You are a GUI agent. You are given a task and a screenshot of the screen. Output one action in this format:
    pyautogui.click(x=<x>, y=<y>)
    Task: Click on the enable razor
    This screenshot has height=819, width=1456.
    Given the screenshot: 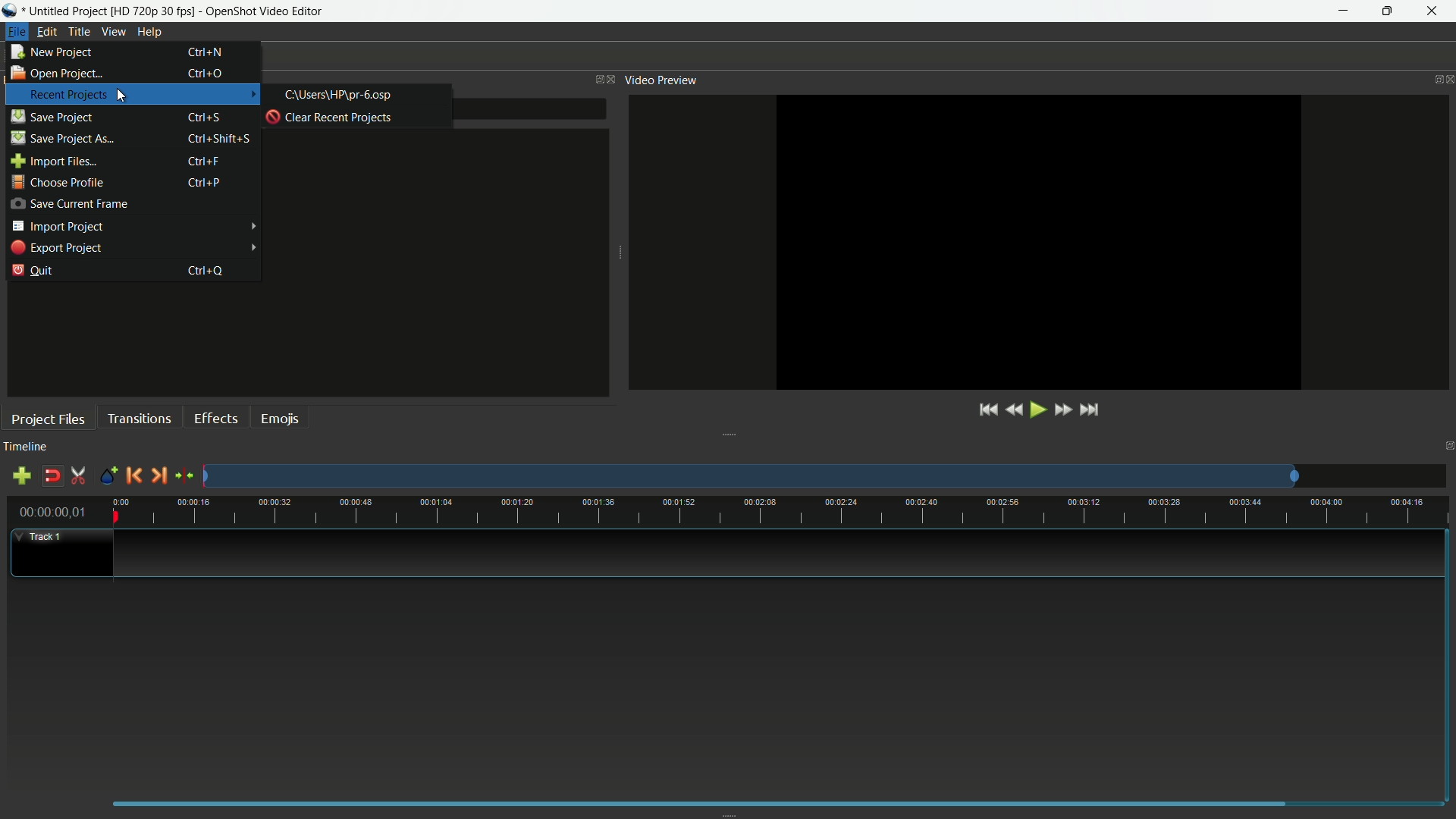 What is the action you would take?
    pyautogui.click(x=78, y=475)
    